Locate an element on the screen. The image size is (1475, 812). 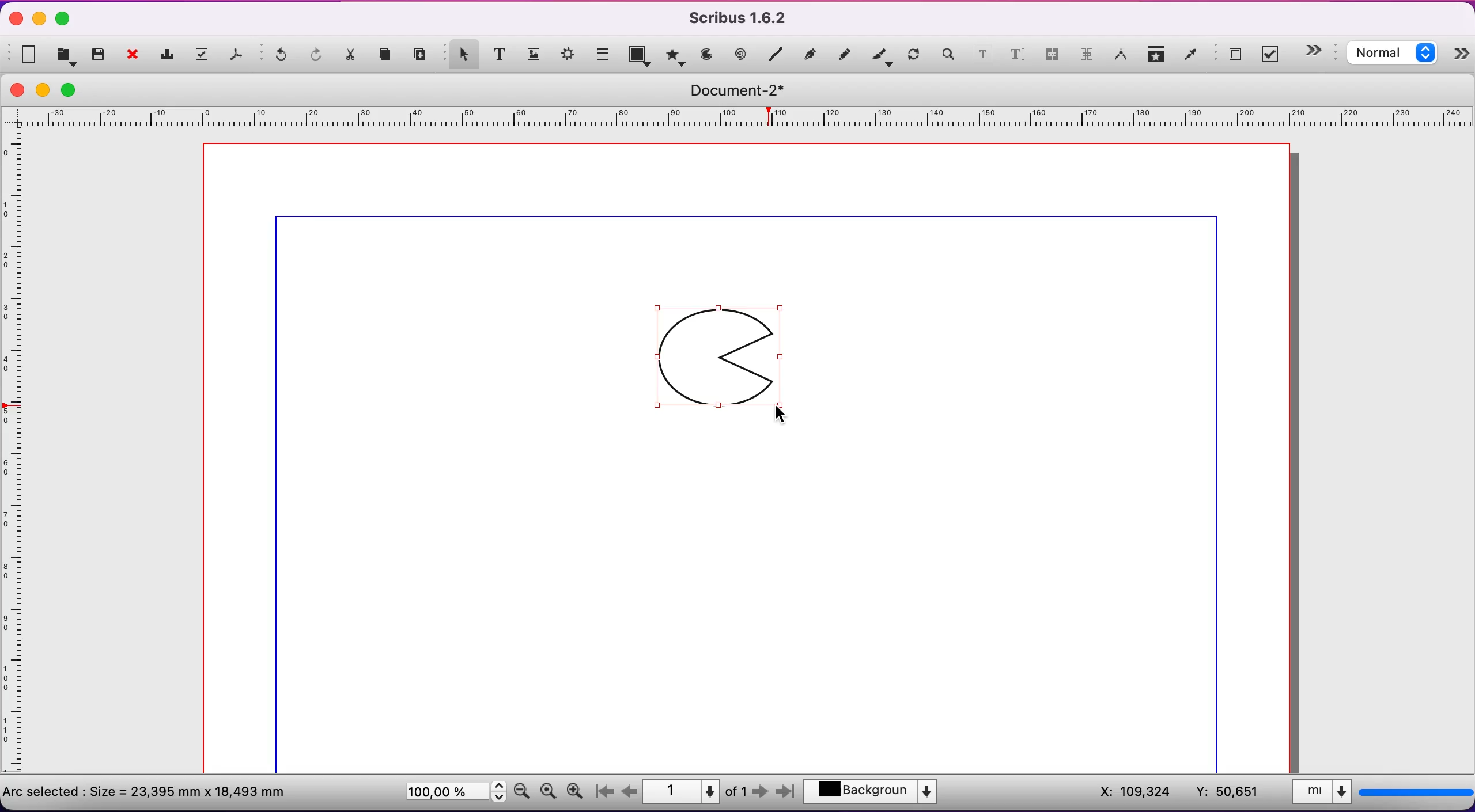
preflight verifier is located at coordinates (205, 55).